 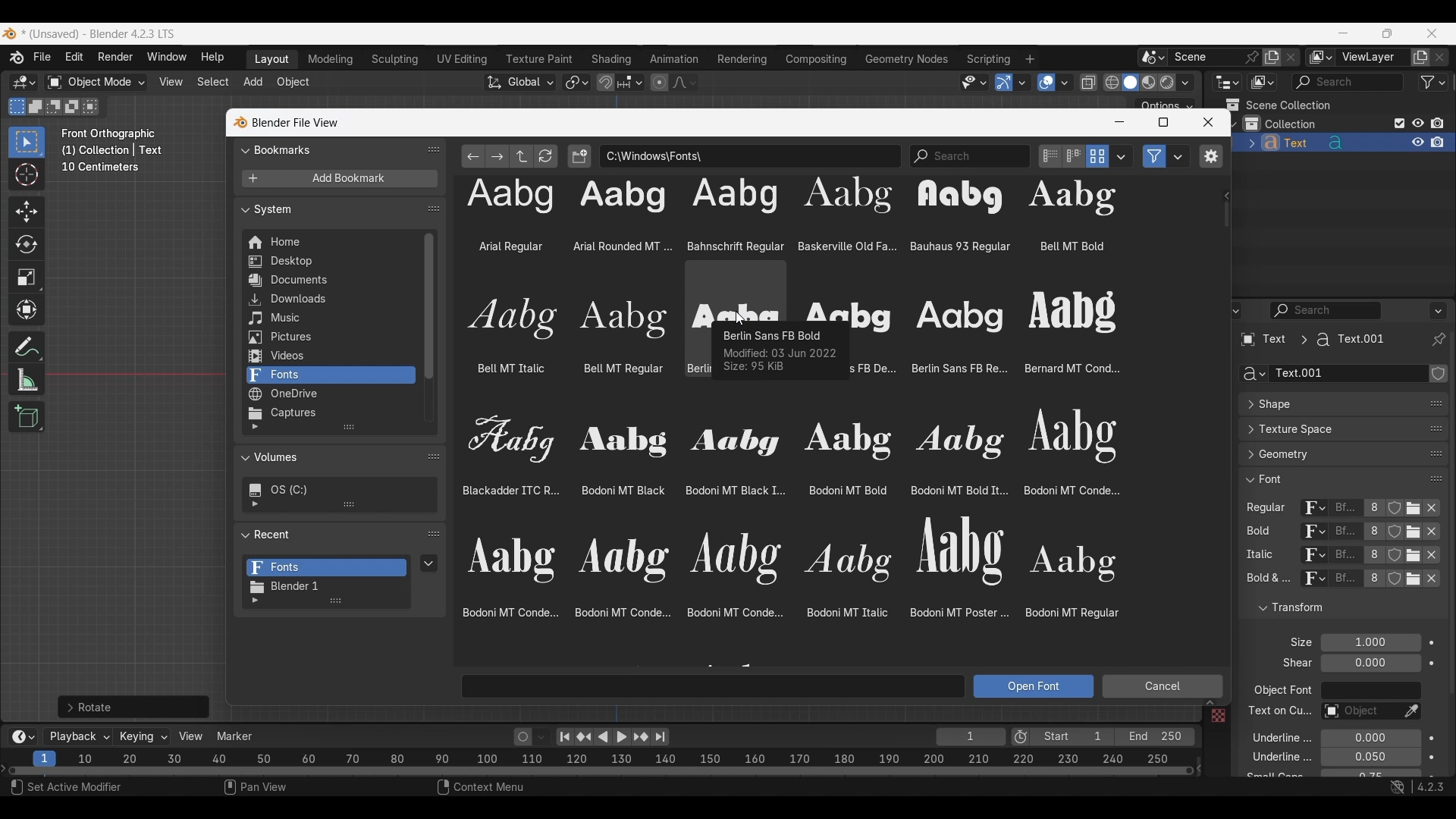 I want to click on Add view layer, so click(x=1420, y=58).